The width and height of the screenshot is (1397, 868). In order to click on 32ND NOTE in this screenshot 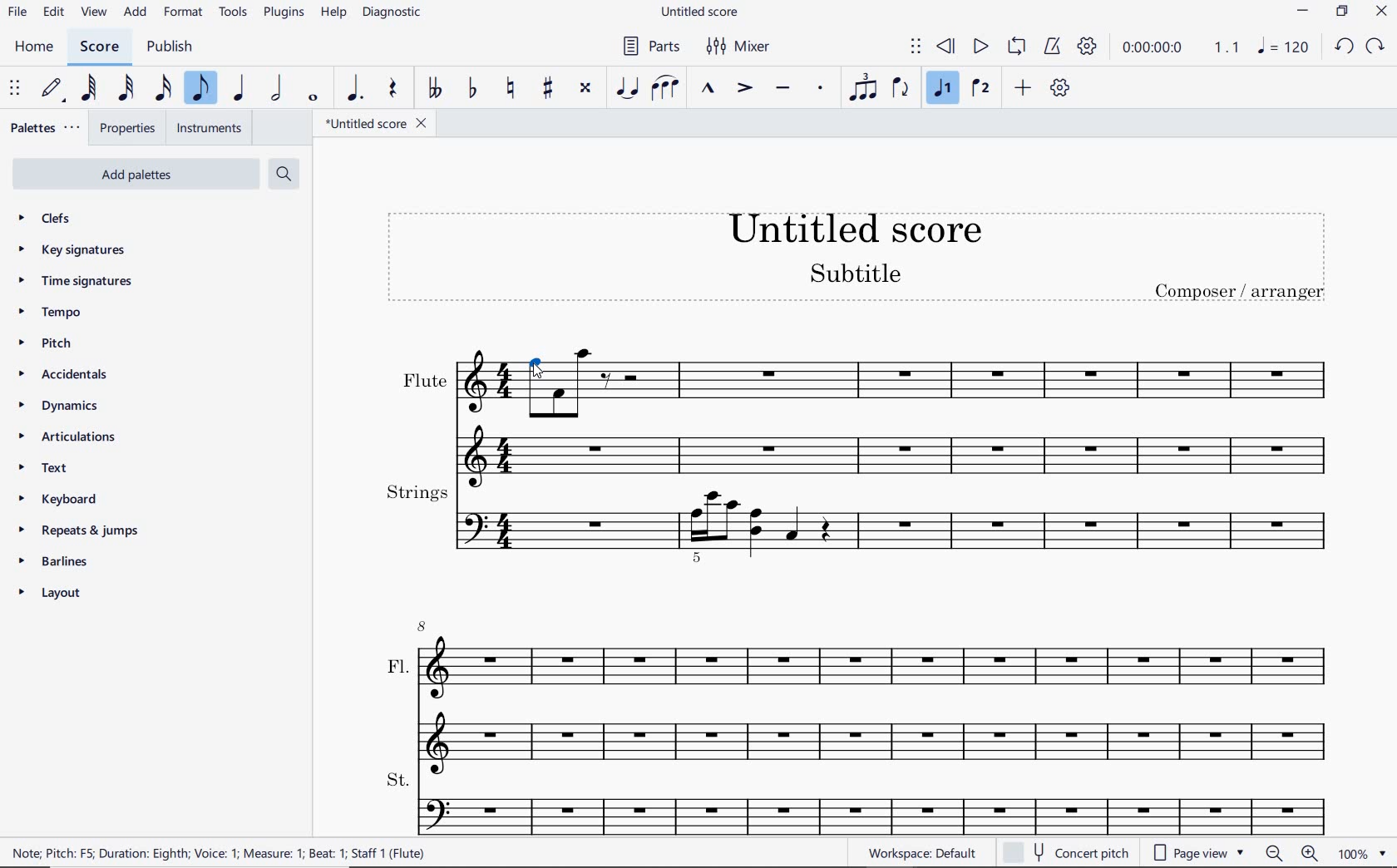, I will do `click(124, 91)`.